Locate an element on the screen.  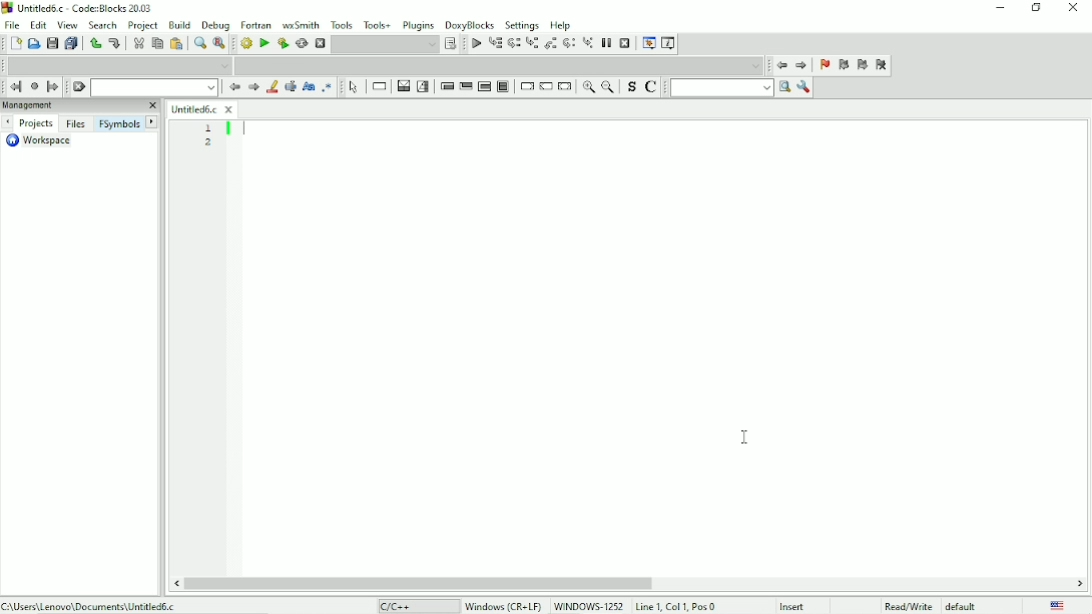
Edit is located at coordinates (39, 25).